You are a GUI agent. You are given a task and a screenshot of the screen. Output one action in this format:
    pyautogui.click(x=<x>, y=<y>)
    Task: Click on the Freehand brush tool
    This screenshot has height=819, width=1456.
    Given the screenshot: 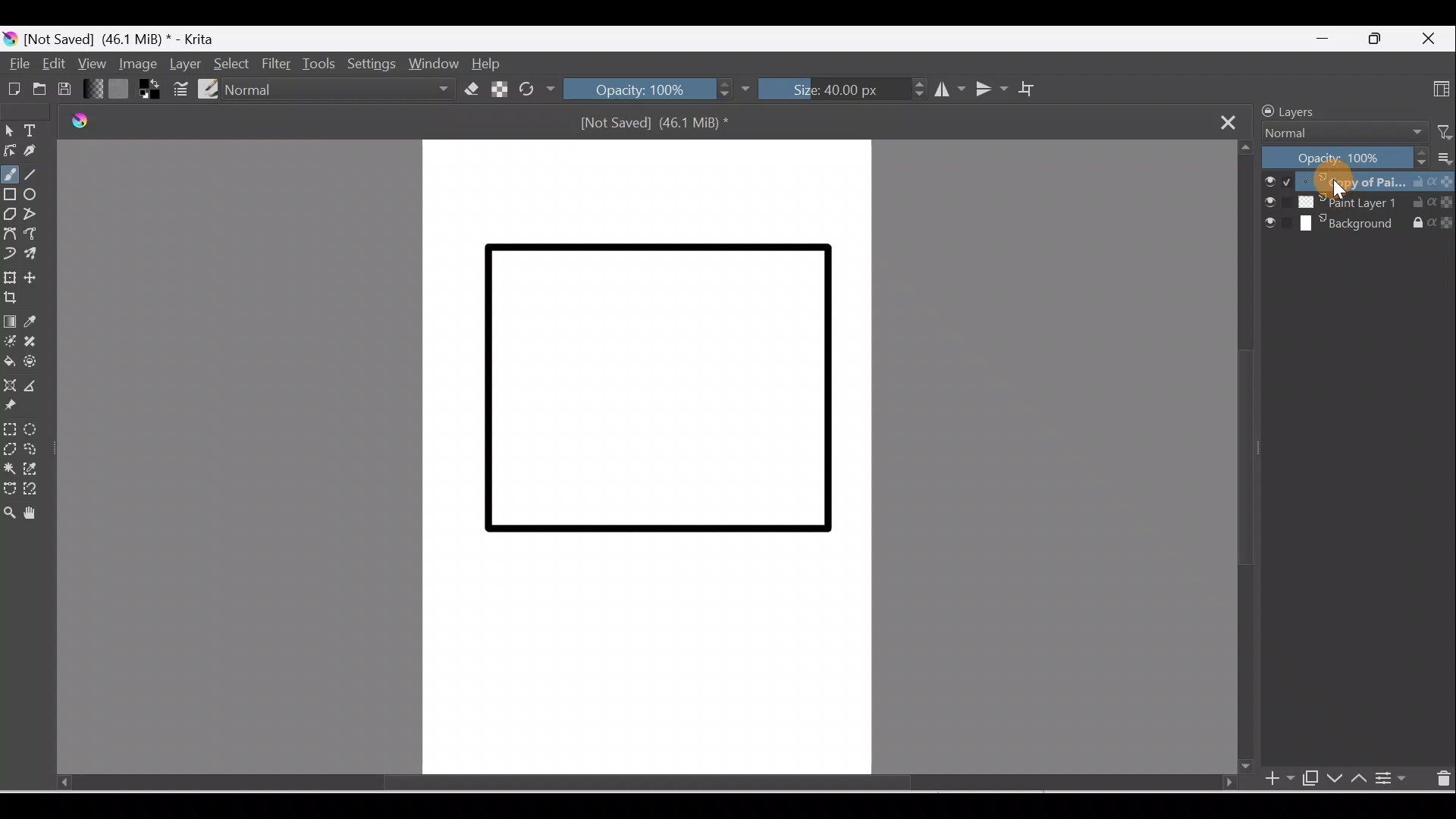 What is the action you would take?
    pyautogui.click(x=11, y=175)
    